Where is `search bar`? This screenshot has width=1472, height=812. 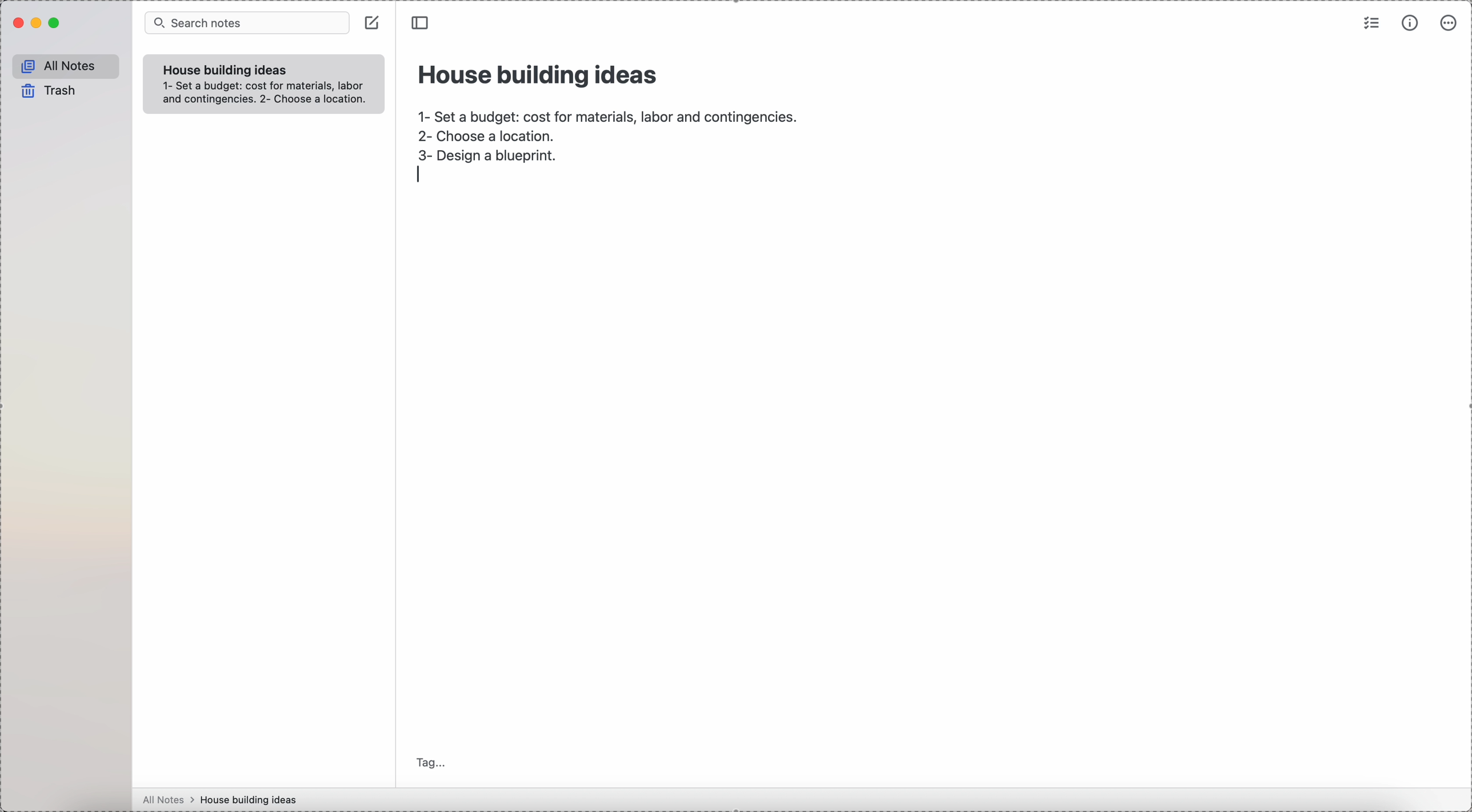 search bar is located at coordinates (246, 23).